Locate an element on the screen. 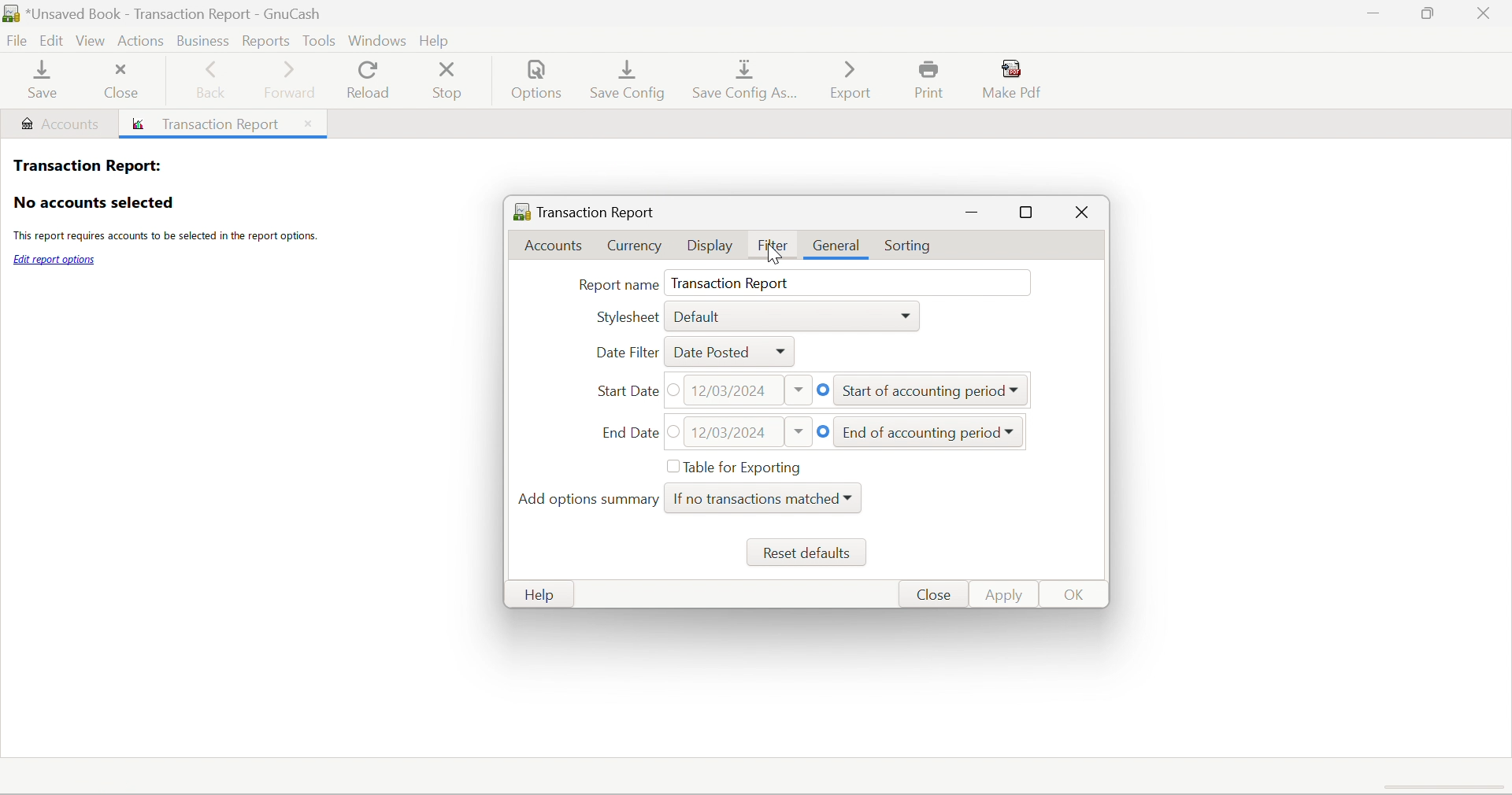 This screenshot has width=1512, height=795. 12/03/2024 is located at coordinates (729, 390).